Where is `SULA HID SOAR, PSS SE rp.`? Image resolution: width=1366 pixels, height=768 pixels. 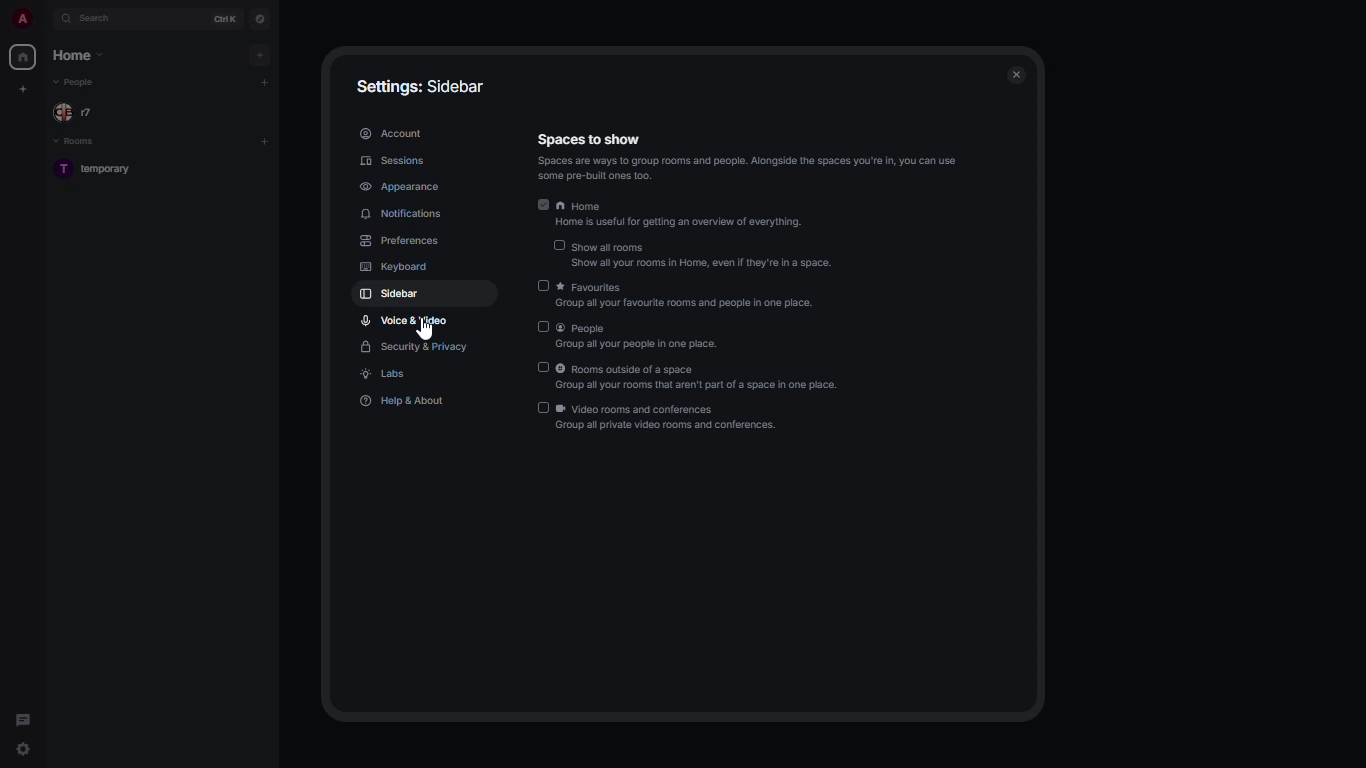
SULA HID SOAR, PSS SE rp. is located at coordinates (681, 430).